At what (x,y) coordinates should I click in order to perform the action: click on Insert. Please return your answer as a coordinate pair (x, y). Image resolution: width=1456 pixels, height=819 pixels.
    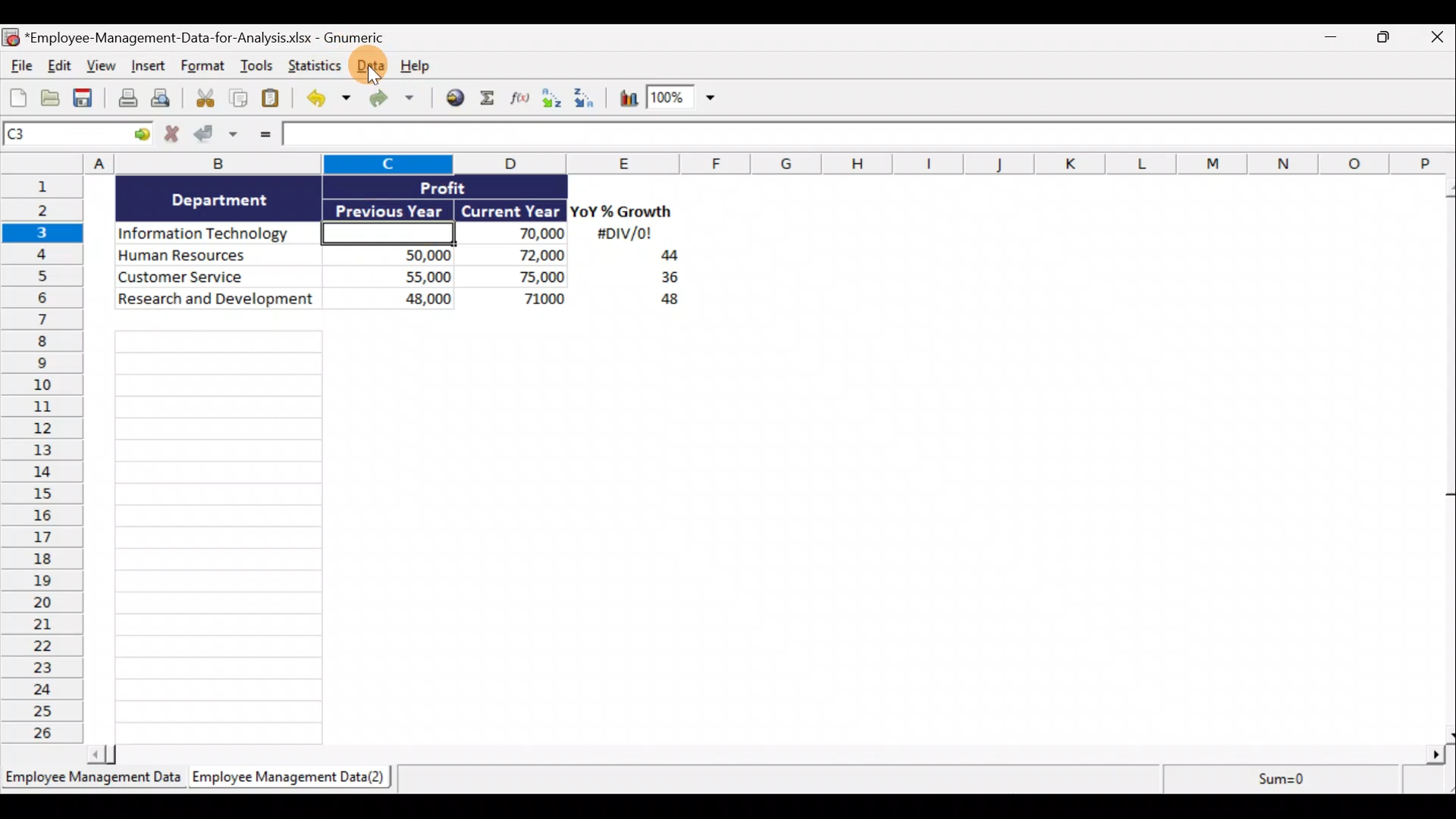
    Looking at the image, I should click on (151, 69).